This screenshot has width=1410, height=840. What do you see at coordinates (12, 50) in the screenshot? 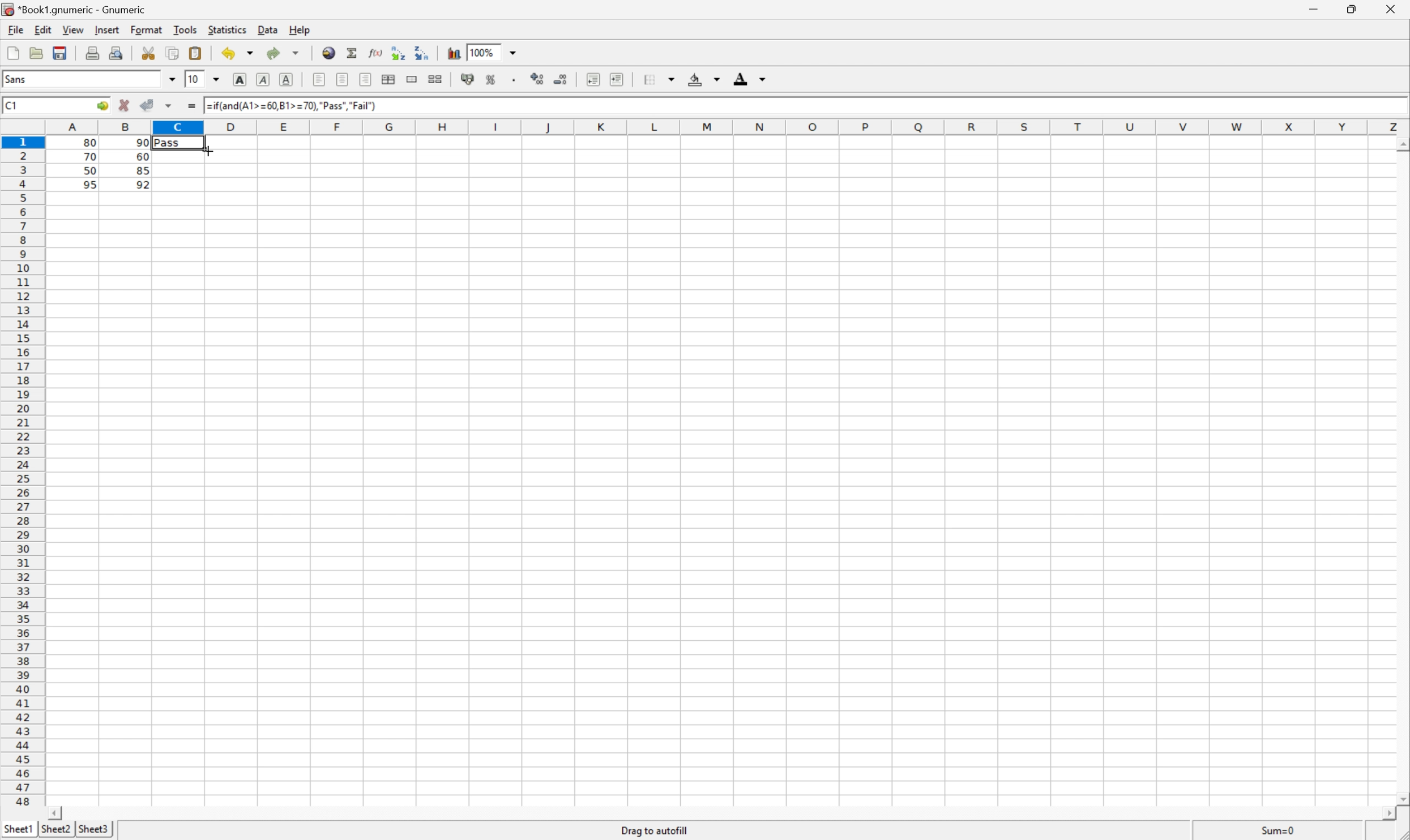
I see `Create a new workbook` at bounding box center [12, 50].